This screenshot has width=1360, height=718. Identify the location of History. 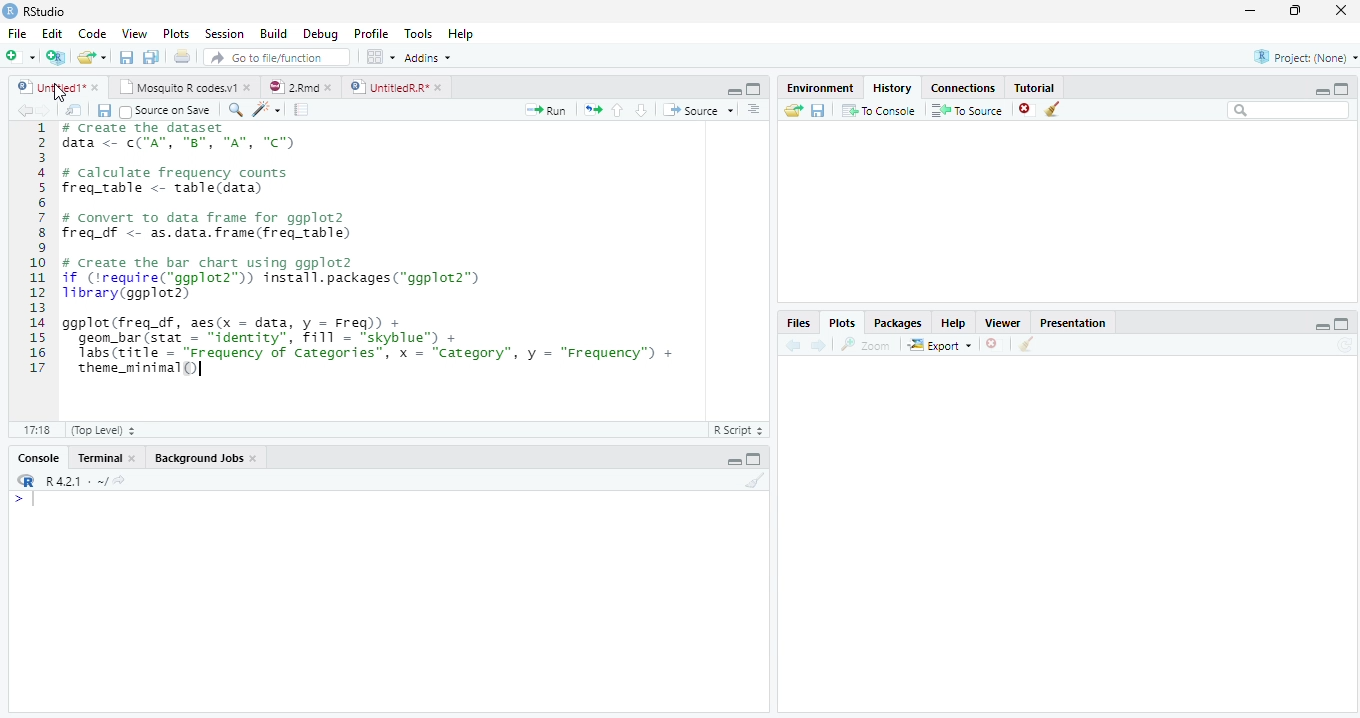
(896, 88).